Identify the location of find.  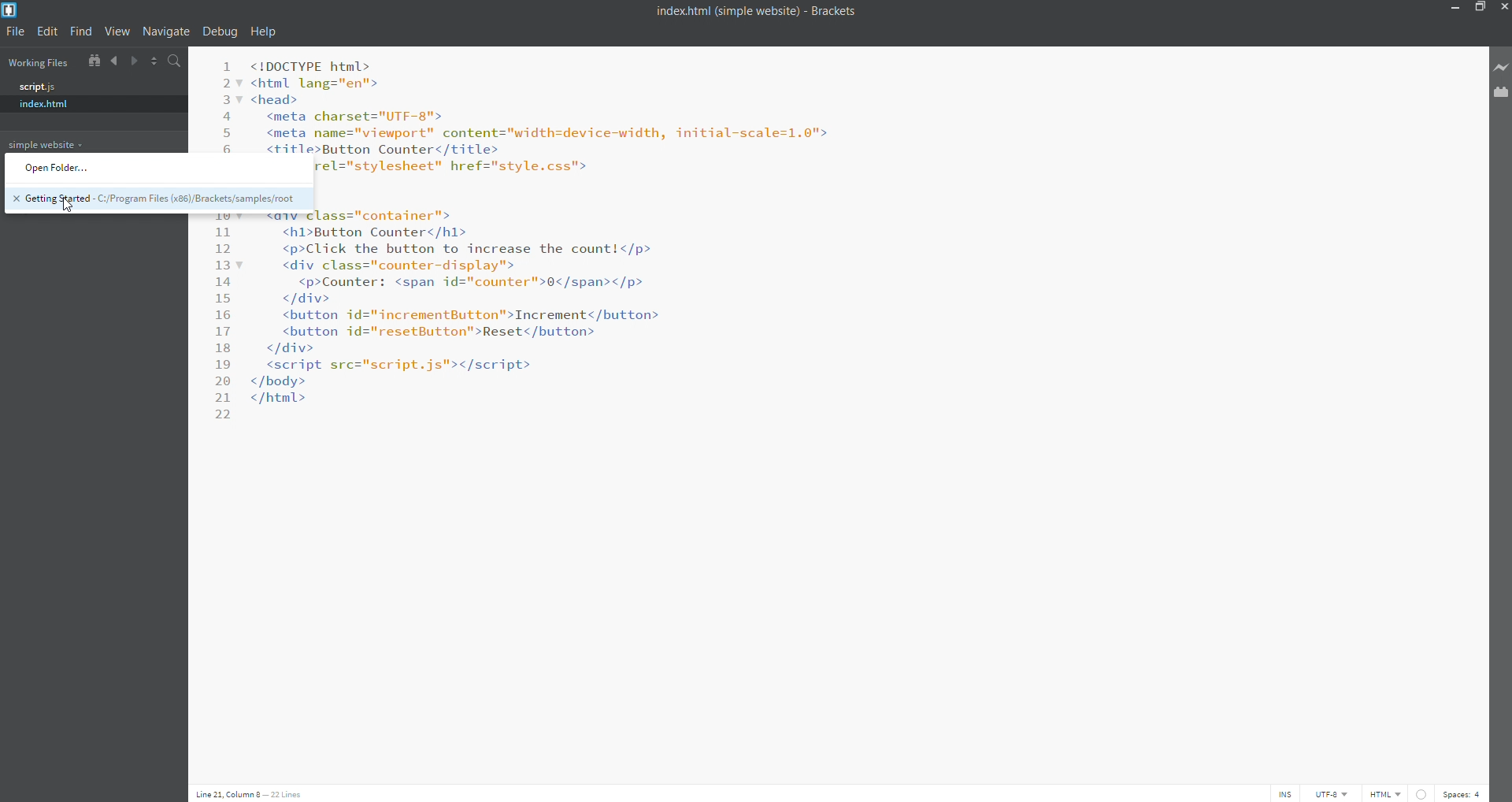
(81, 31).